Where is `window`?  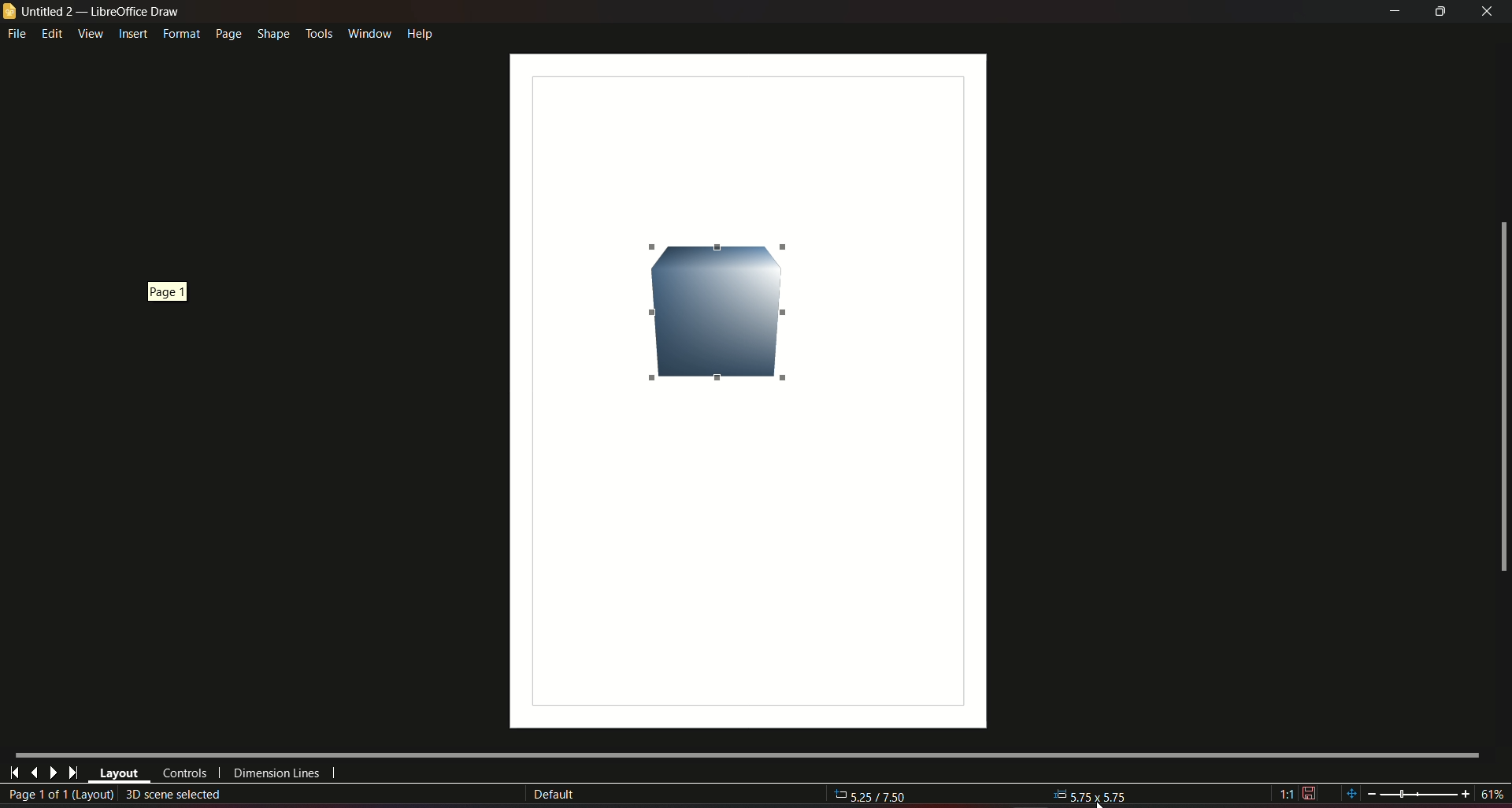
window is located at coordinates (368, 31).